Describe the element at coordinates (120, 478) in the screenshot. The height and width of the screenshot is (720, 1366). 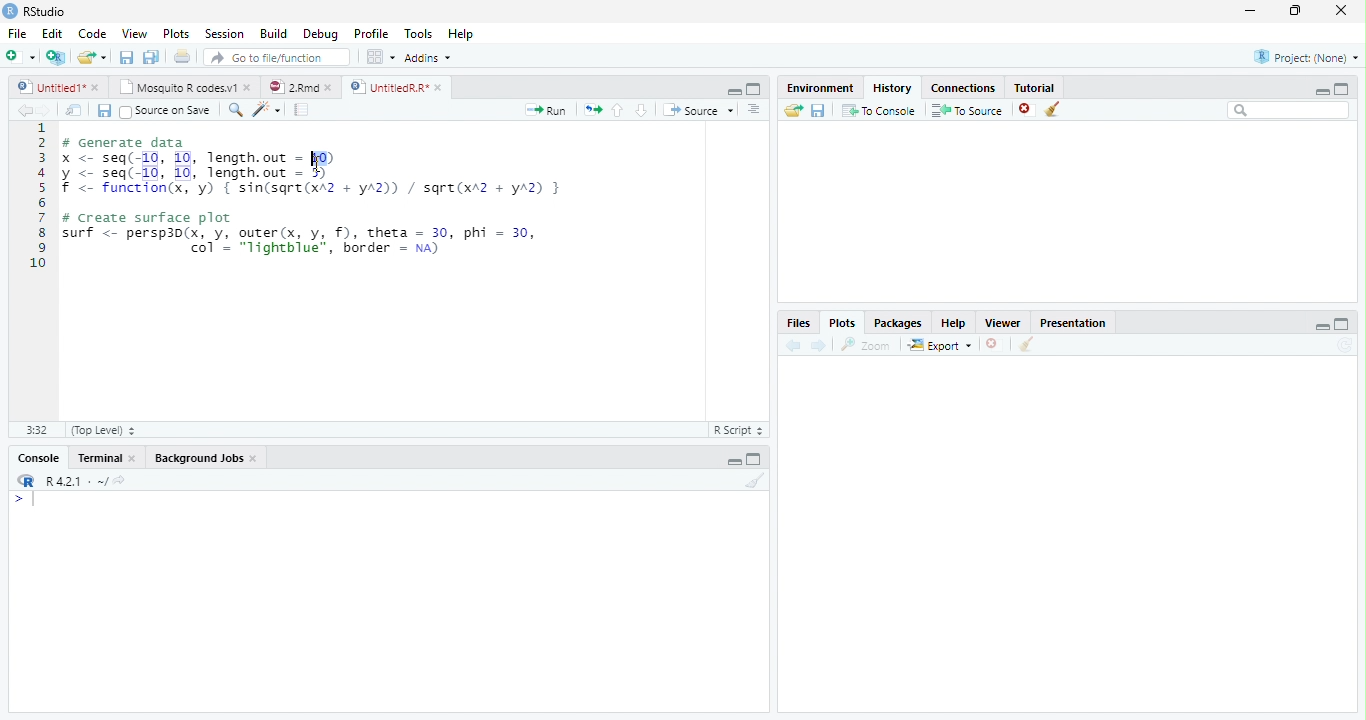
I see `View the current working directory` at that location.